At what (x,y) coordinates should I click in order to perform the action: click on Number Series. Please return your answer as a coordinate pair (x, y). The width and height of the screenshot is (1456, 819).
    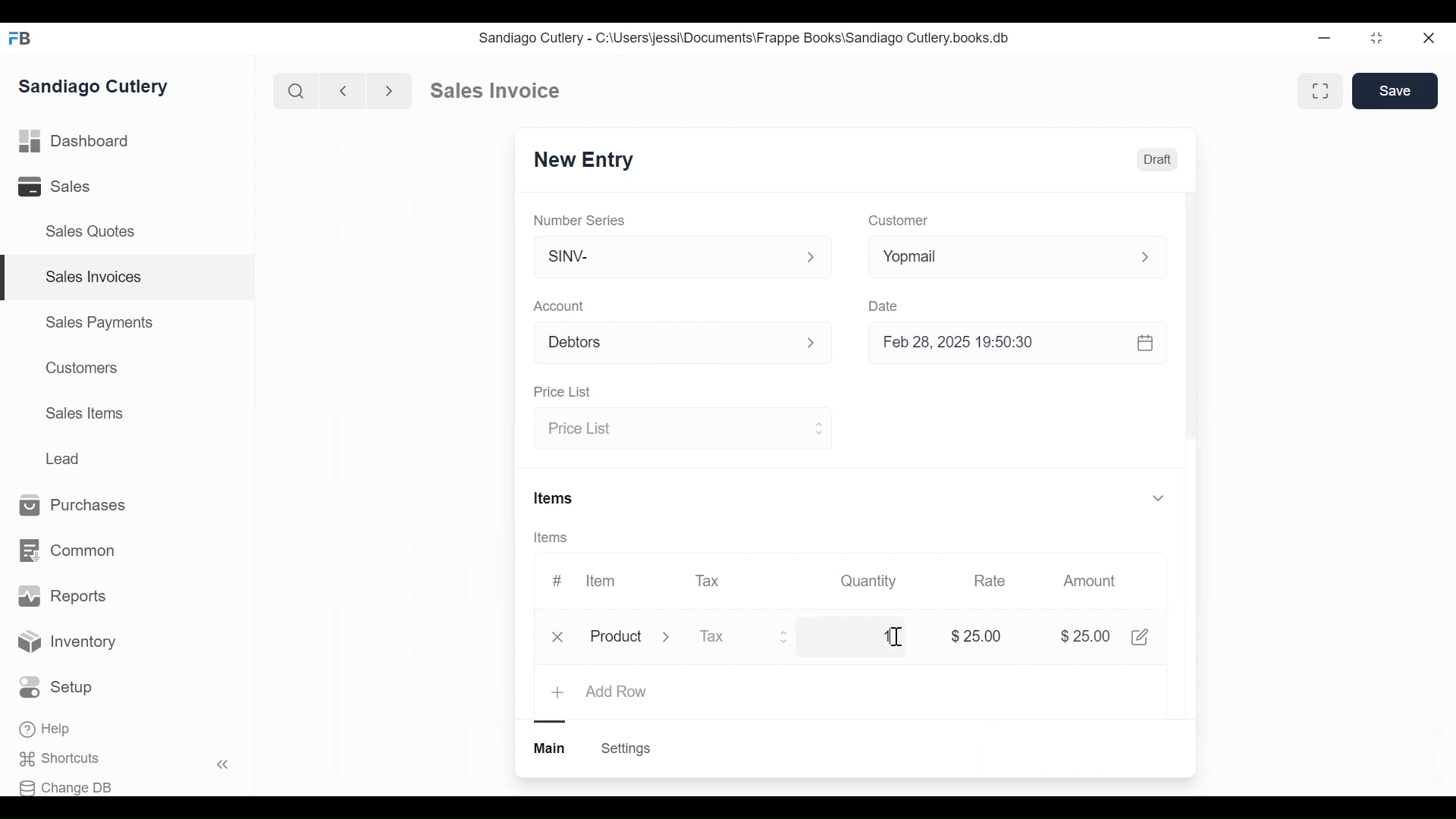
    Looking at the image, I should click on (581, 220).